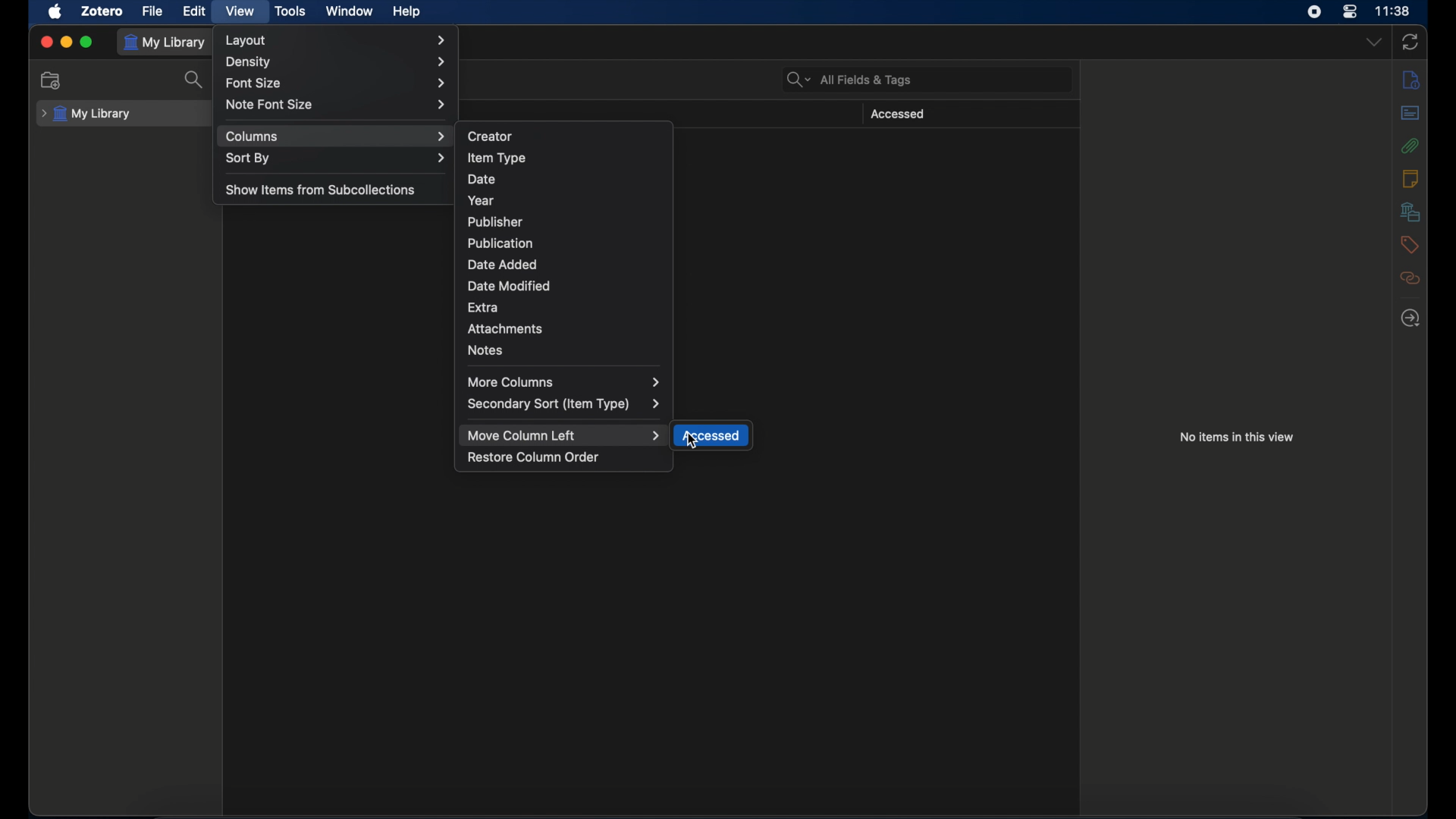  What do you see at coordinates (692, 441) in the screenshot?
I see `cursor` at bounding box center [692, 441].